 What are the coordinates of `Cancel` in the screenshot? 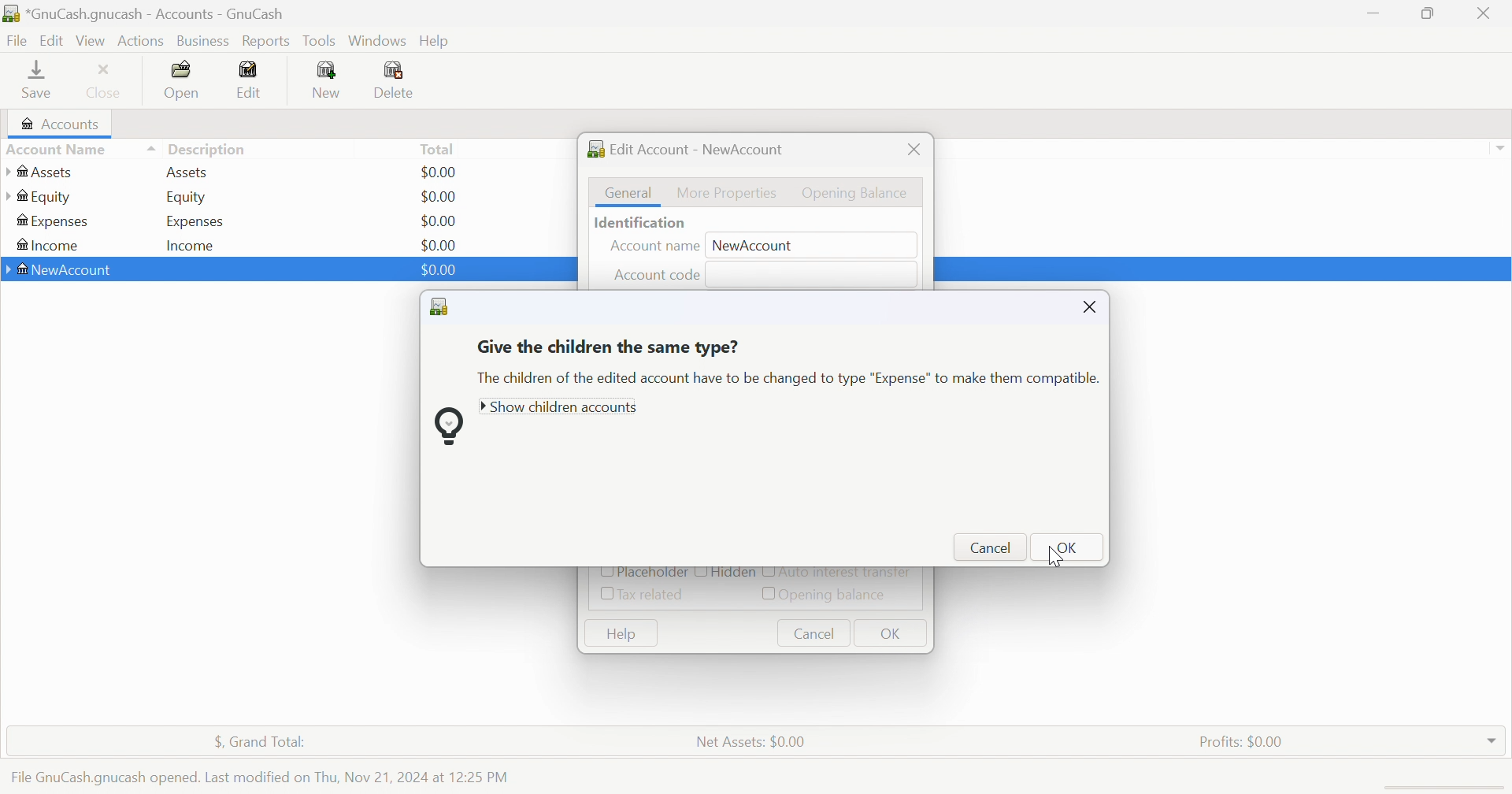 It's located at (813, 633).